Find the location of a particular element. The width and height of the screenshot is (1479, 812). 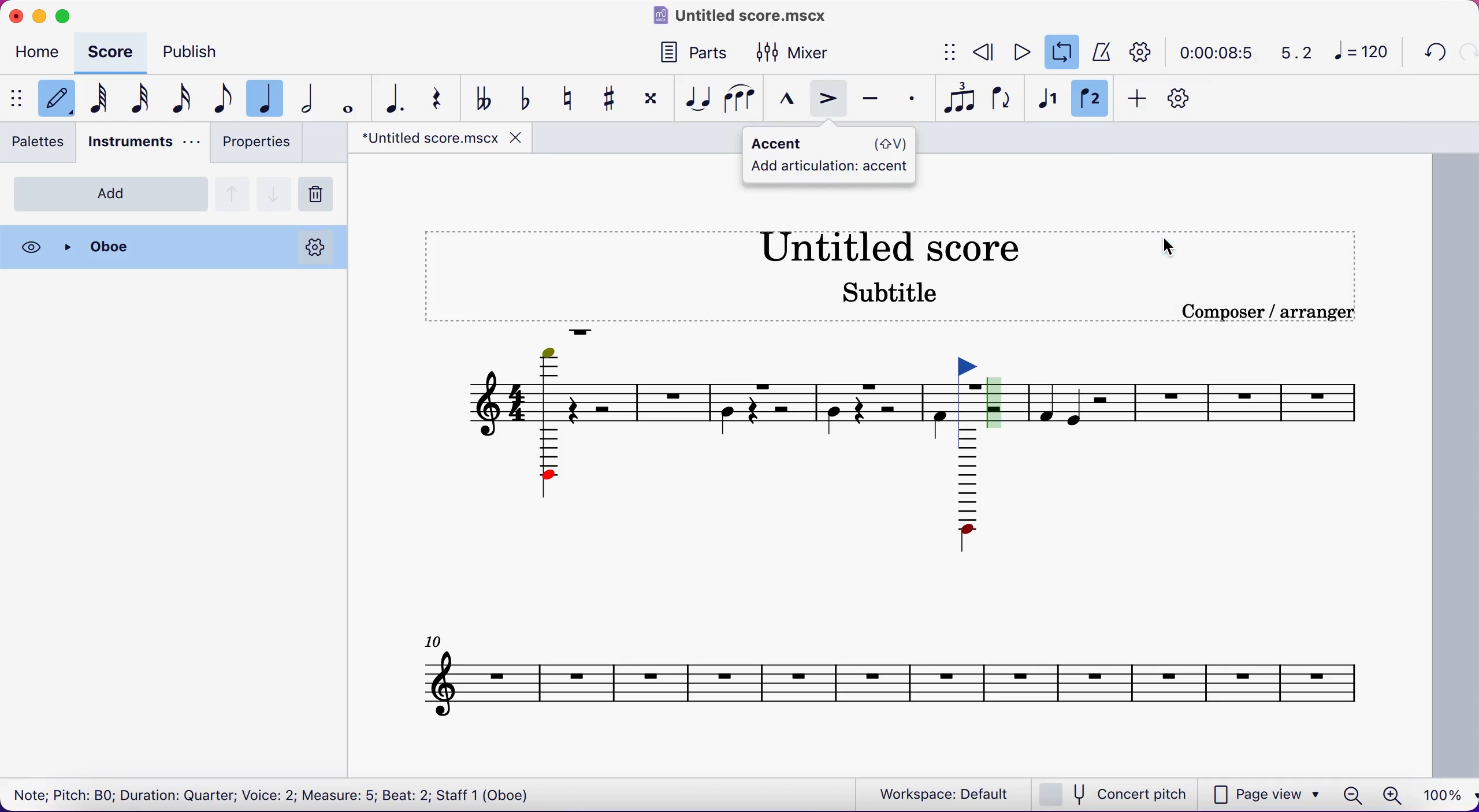

voice2 is located at coordinates (1091, 100).